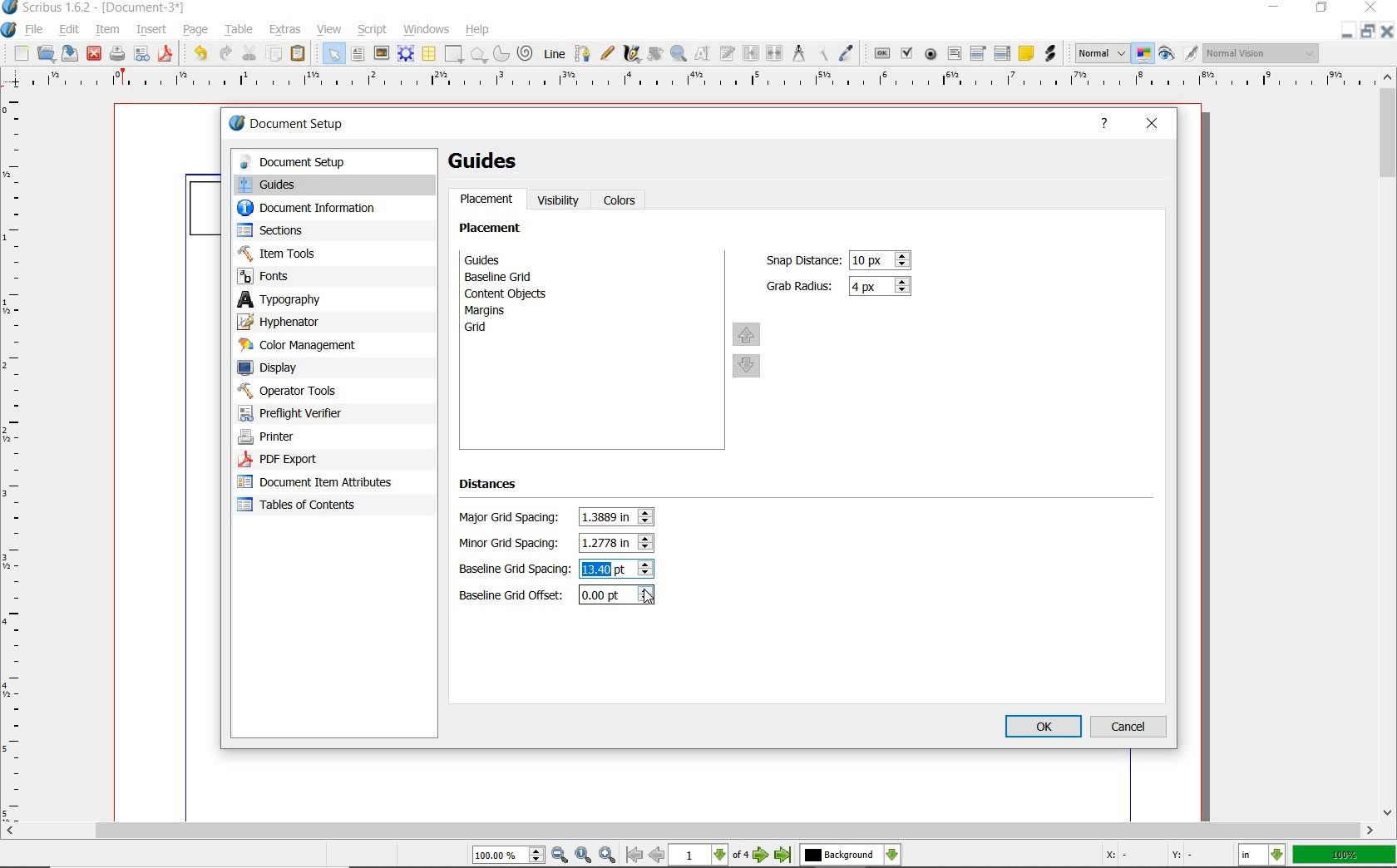 Image resolution: width=1397 pixels, height=868 pixels. I want to click on guides, so click(491, 161).